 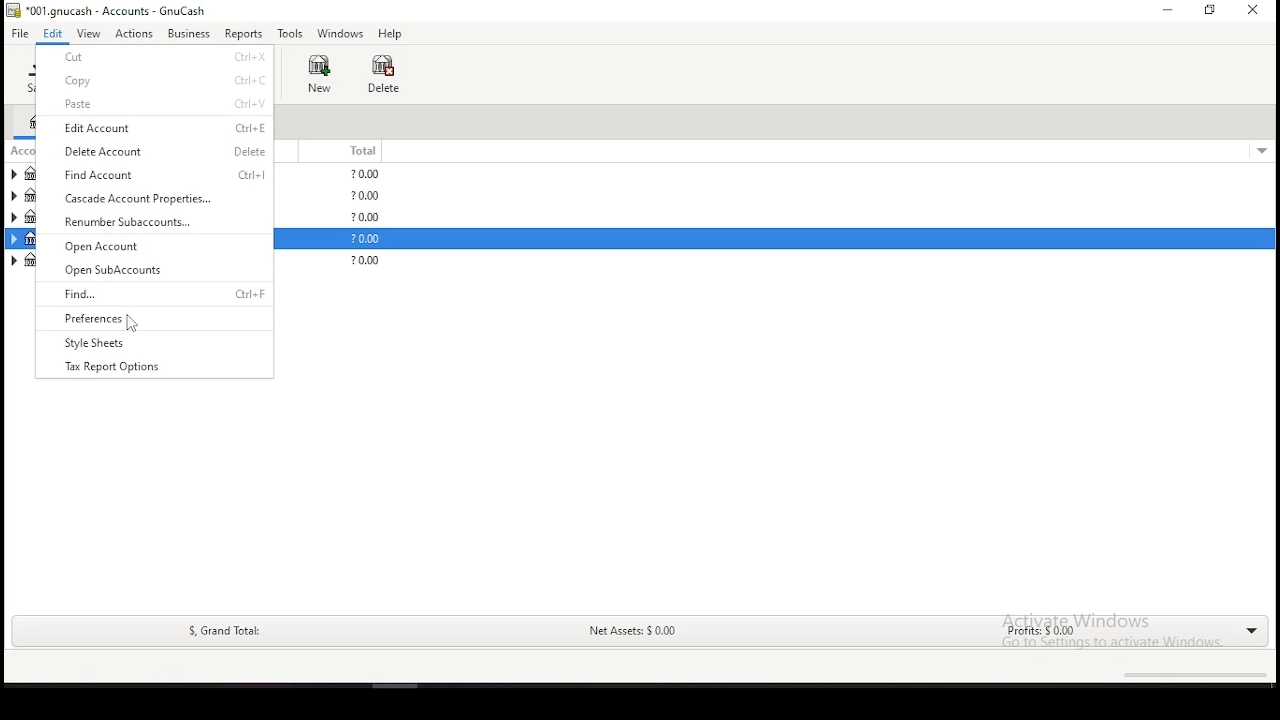 I want to click on total, so click(x=354, y=151).